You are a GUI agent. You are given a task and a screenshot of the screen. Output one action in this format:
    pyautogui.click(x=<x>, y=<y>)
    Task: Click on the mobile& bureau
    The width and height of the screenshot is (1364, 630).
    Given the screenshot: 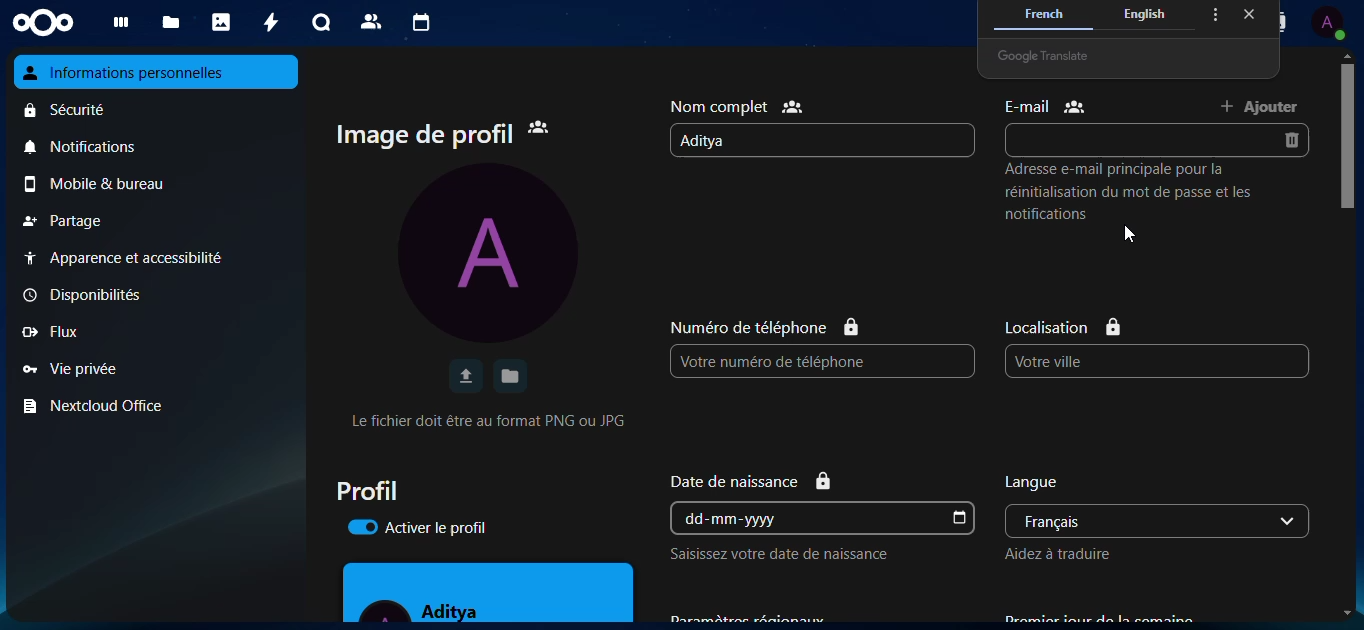 What is the action you would take?
    pyautogui.click(x=112, y=185)
    